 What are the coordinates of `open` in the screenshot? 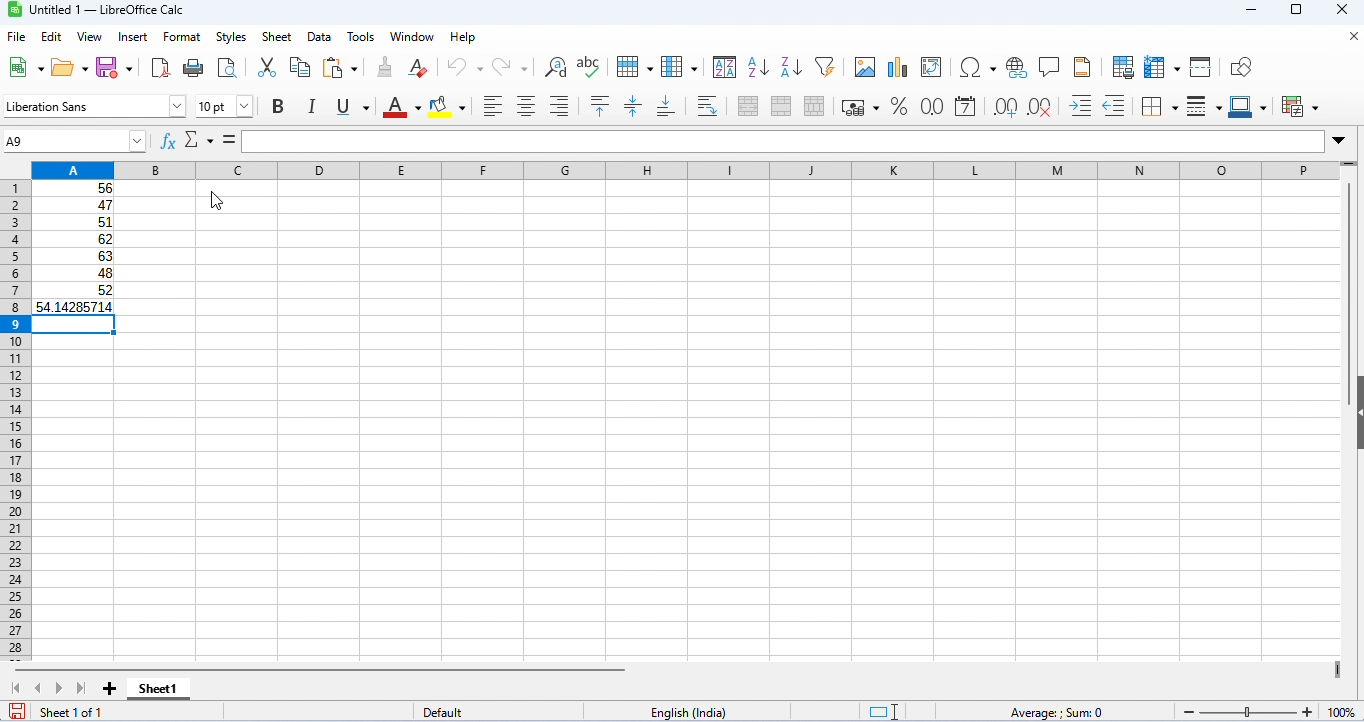 It's located at (71, 66).